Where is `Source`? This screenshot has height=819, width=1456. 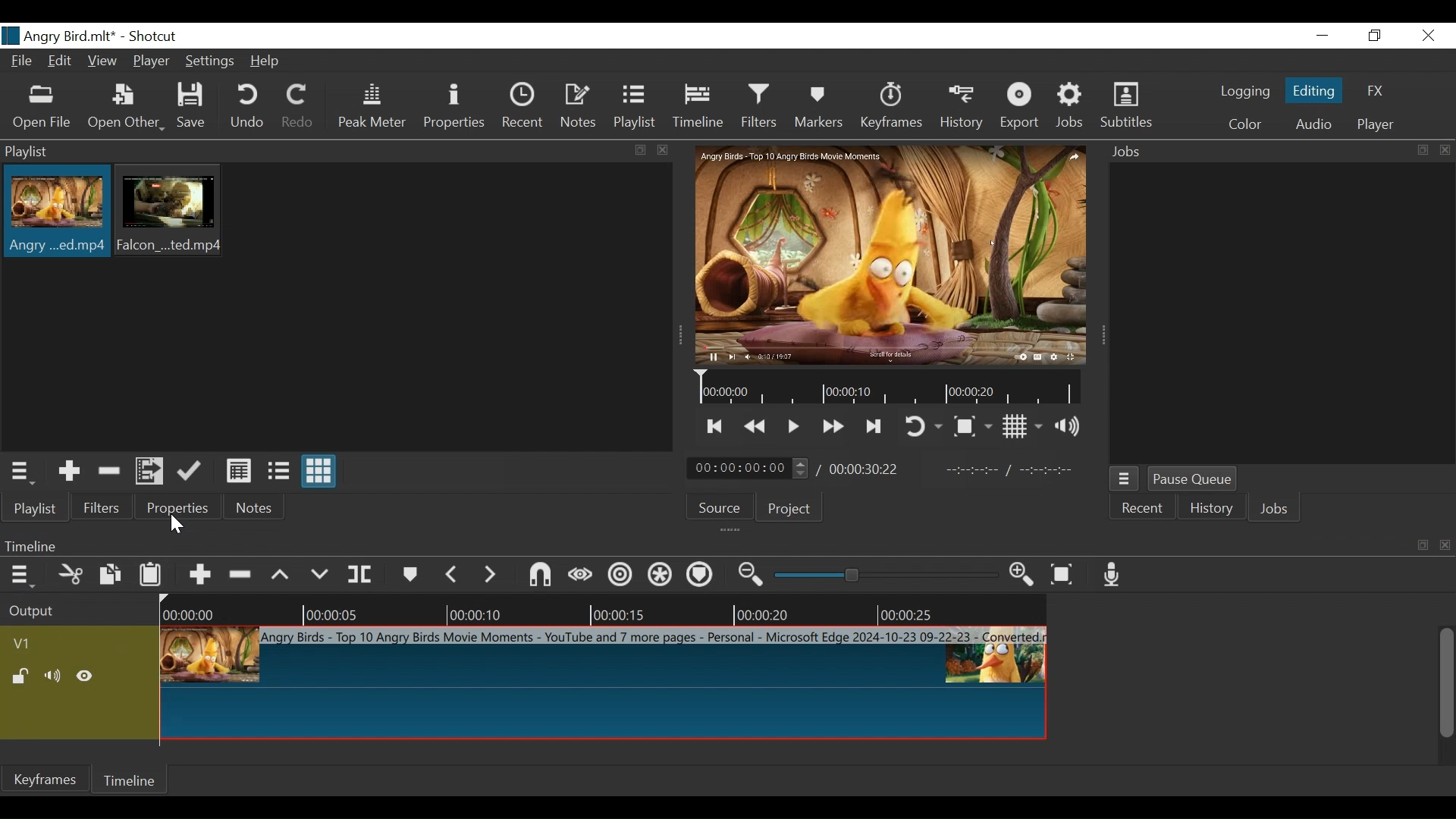
Source is located at coordinates (718, 506).